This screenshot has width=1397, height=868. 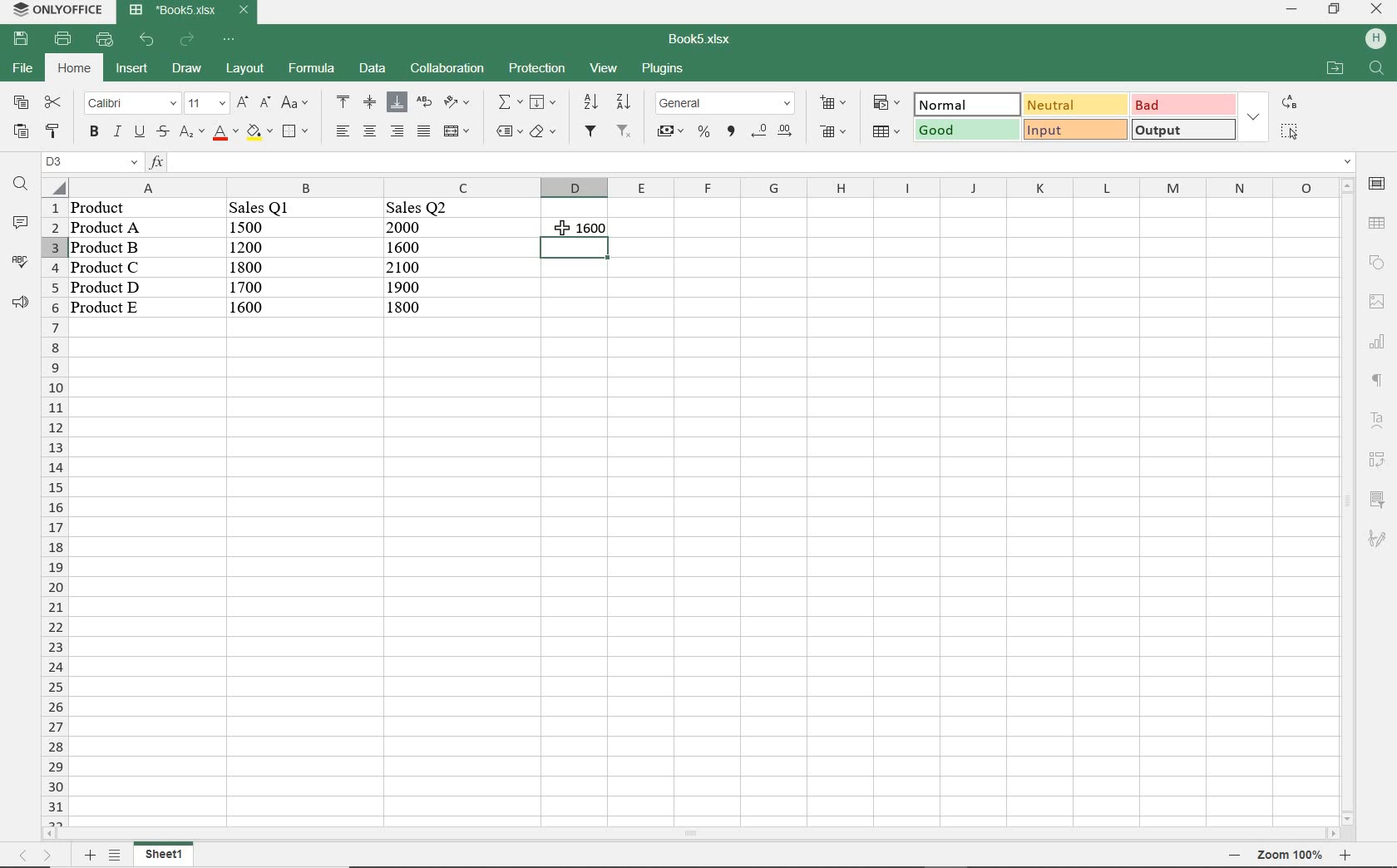 What do you see at coordinates (594, 131) in the screenshot?
I see `filter` at bounding box center [594, 131].